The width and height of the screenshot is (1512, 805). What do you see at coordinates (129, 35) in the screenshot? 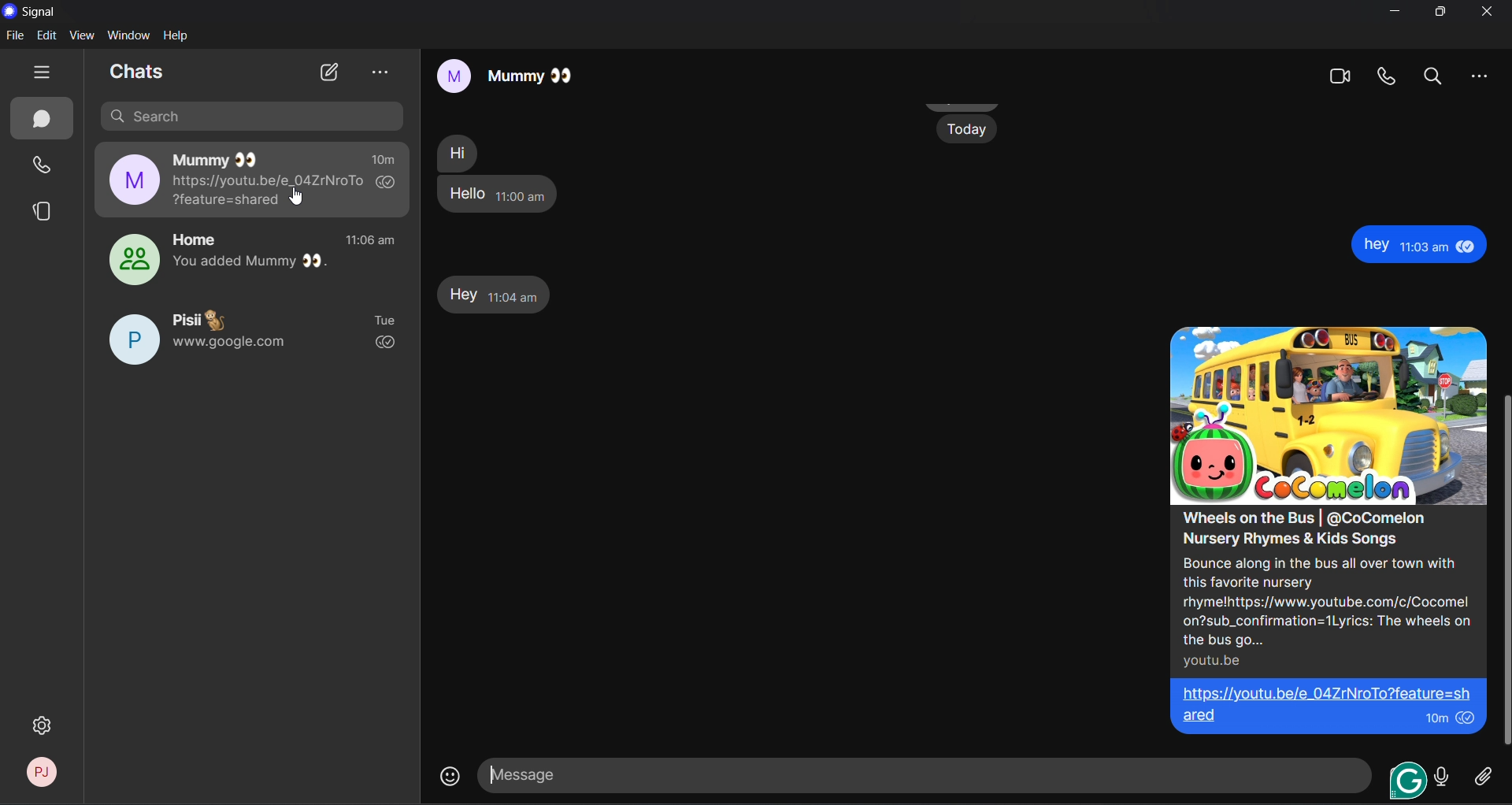
I see `window` at bounding box center [129, 35].